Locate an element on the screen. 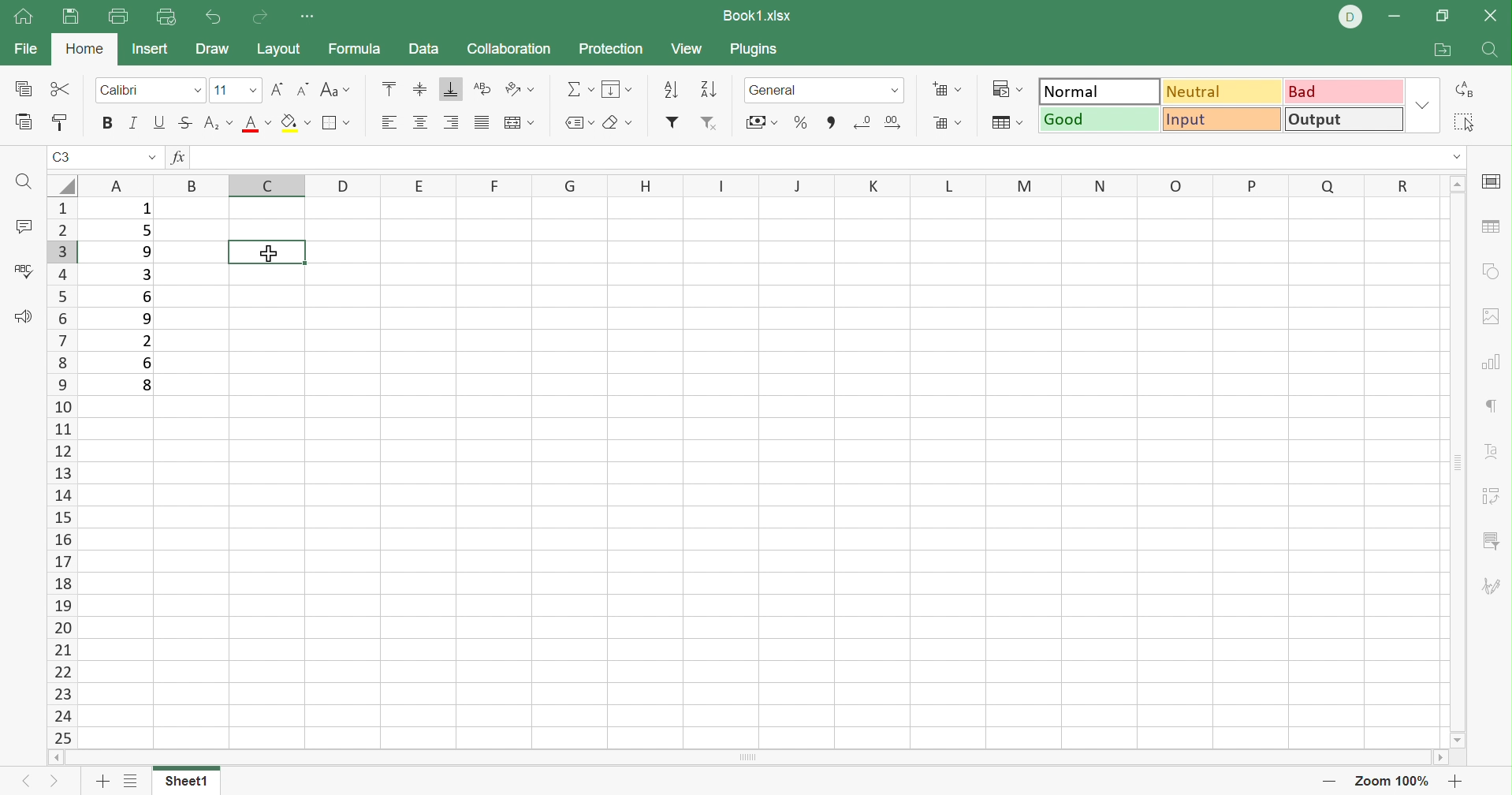 The width and height of the screenshot is (1512, 795). Borders is located at coordinates (336, 123).